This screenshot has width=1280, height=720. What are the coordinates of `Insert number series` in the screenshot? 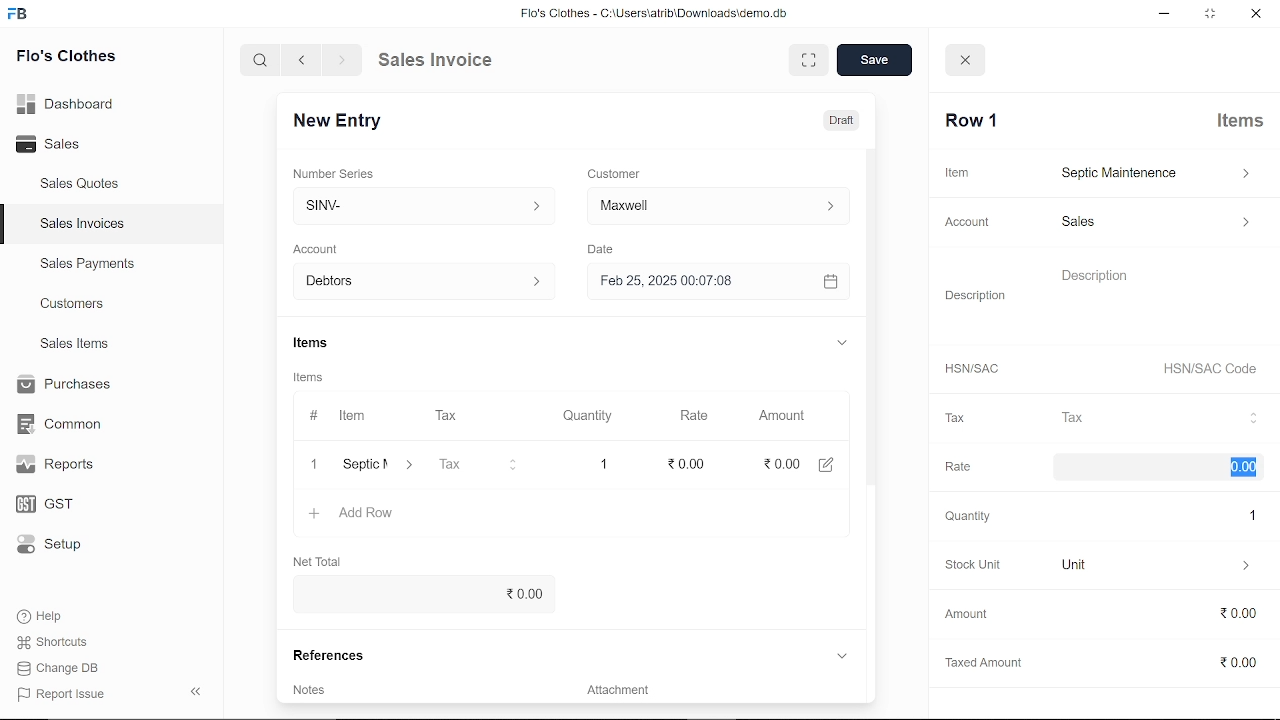 It's located at (415, 202).